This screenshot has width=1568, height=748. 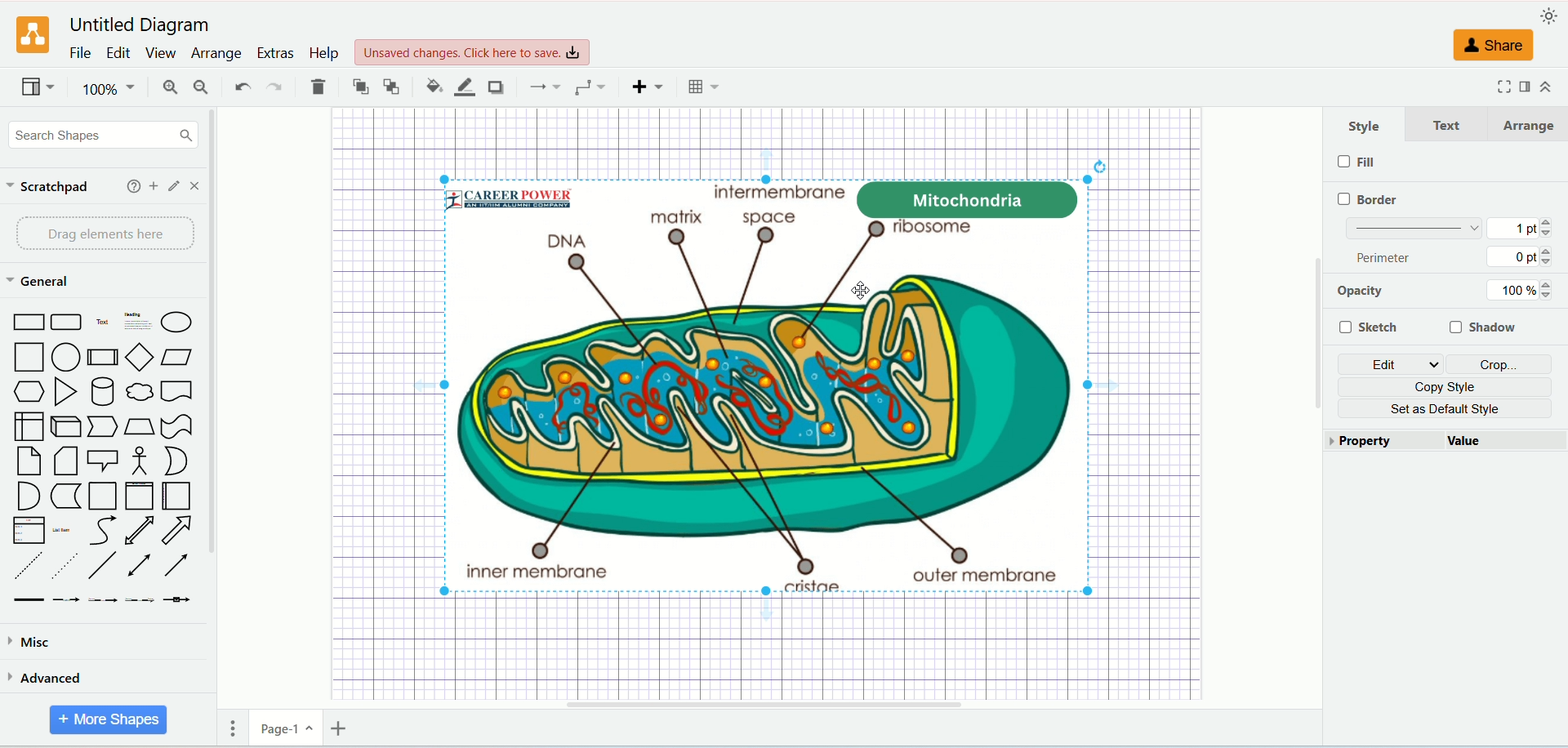 What do you see at coordinates (589, 88) in the screenshot?
I see `waypoints` at bounding box center [589, 88].